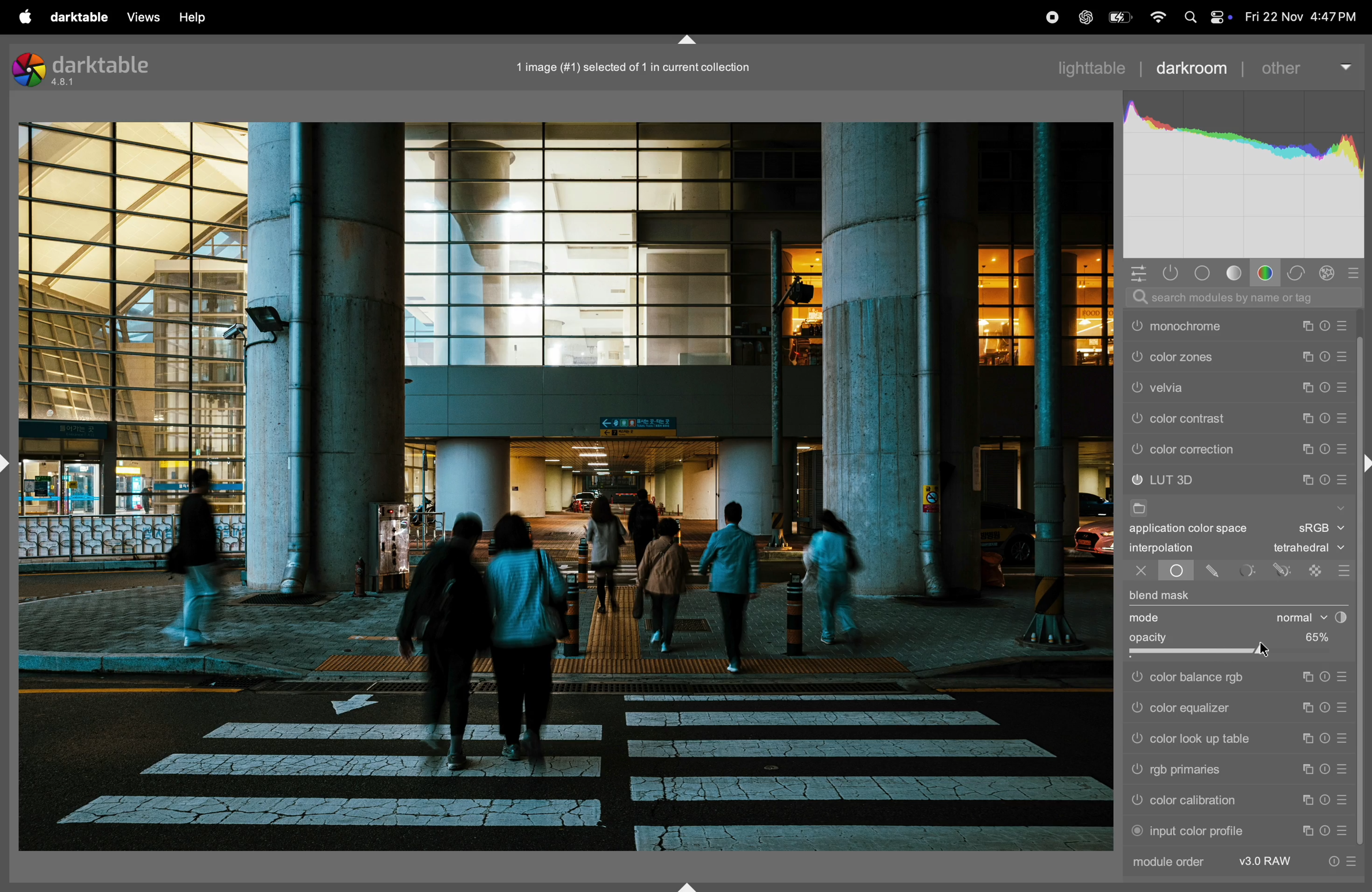 Image resolution: width=1372 pixels, height=892 pixels. Describe the element at coordinates (1237, 655) in the screenshot. I see `slider` at that location.